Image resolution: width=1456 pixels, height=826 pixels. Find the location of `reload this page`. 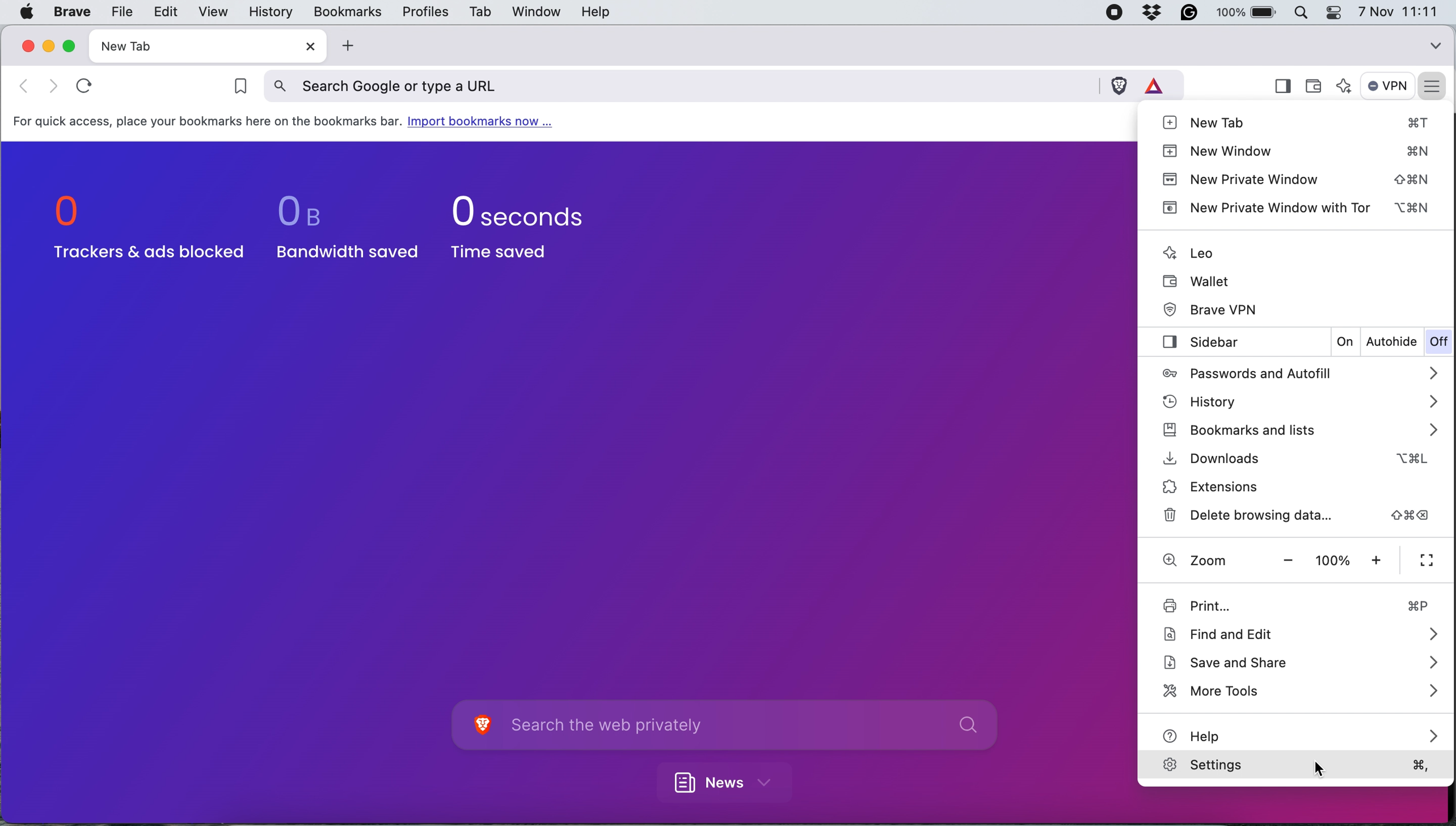

reload this page is located at coordinates (82, 84).